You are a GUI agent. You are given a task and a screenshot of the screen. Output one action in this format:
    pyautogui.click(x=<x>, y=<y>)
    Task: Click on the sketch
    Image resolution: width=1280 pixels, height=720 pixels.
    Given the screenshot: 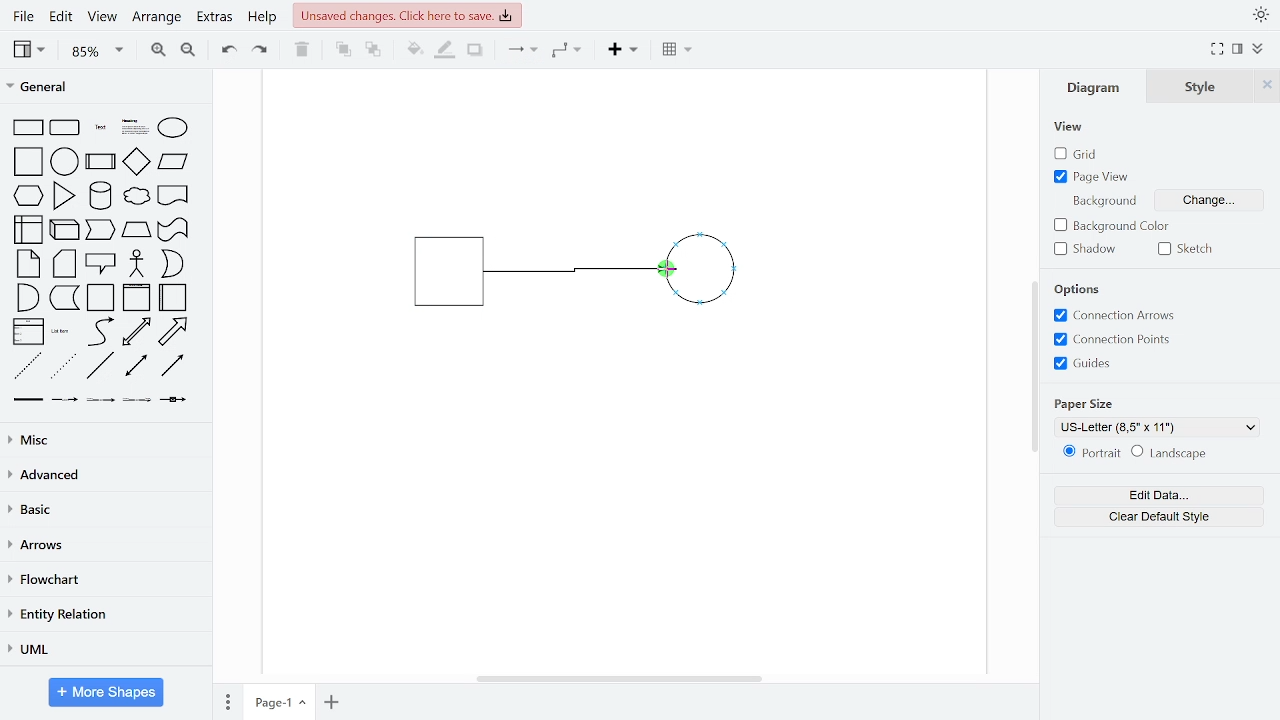 What is the action you would take?
    pyautogui.click(x=1190, y=249)
    